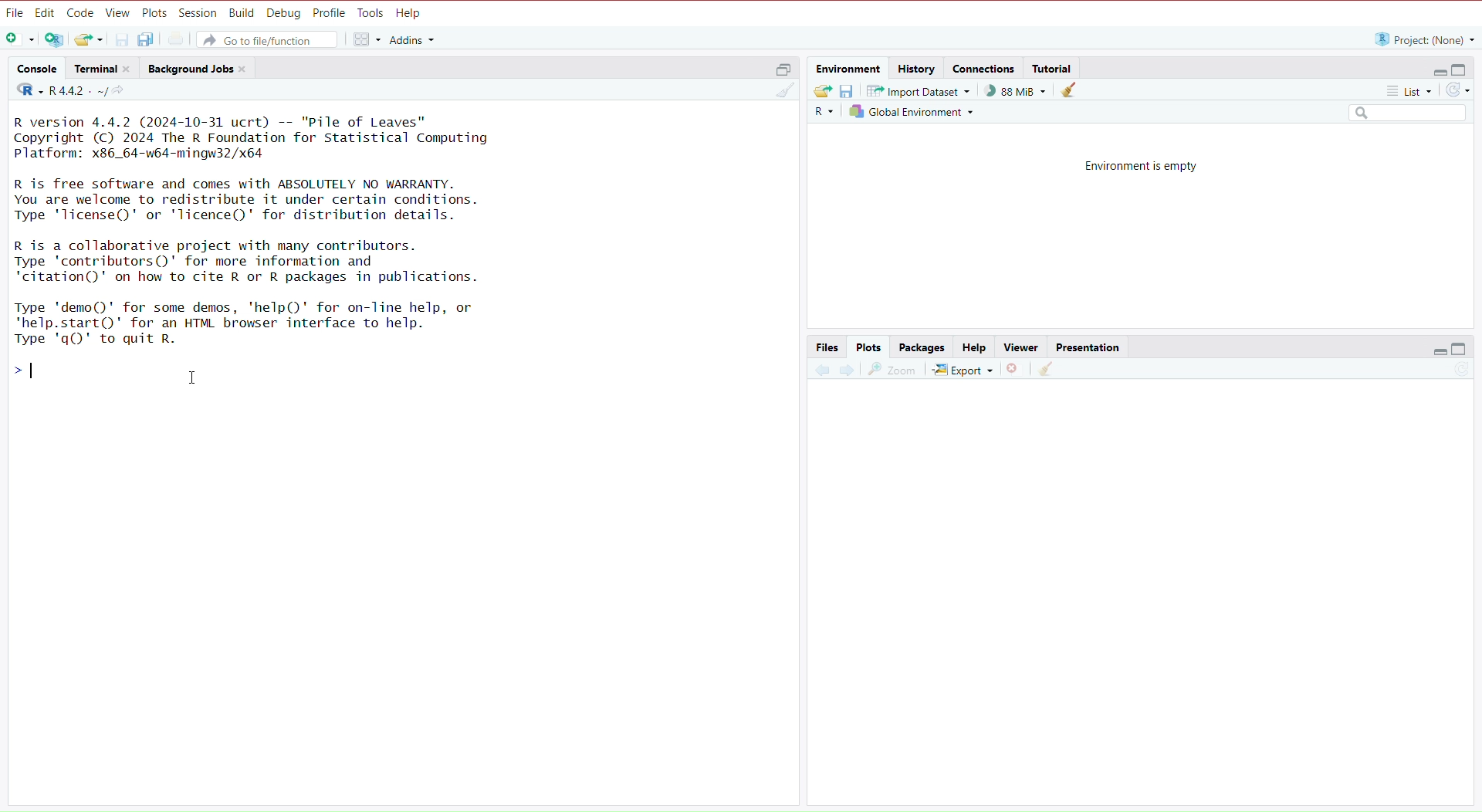  I want to click on Next Plot, so click(848, 369).